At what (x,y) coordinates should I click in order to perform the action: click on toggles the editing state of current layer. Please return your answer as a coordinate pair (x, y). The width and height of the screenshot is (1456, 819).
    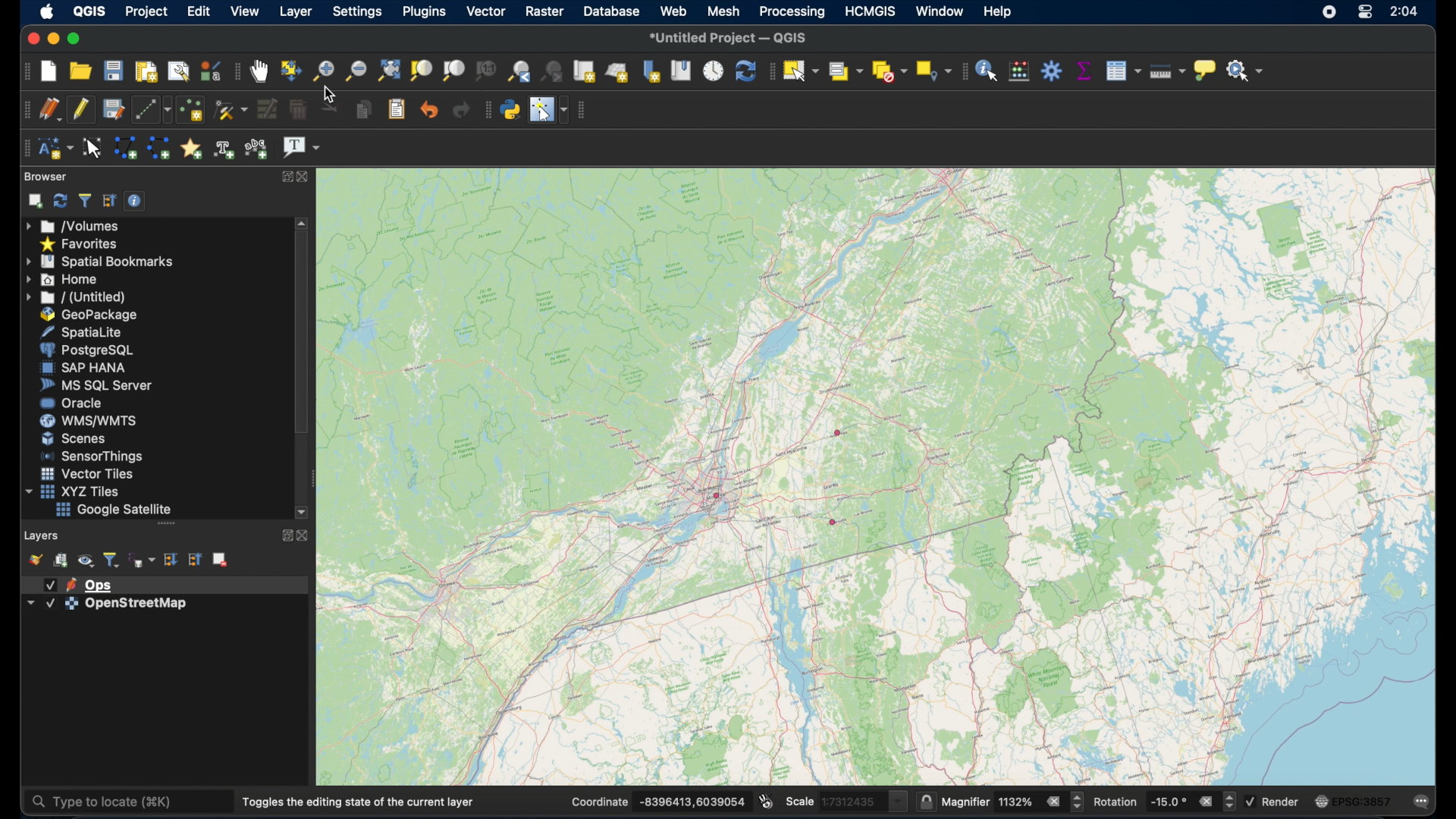
    Looking at the image, I should click on (356, 801).